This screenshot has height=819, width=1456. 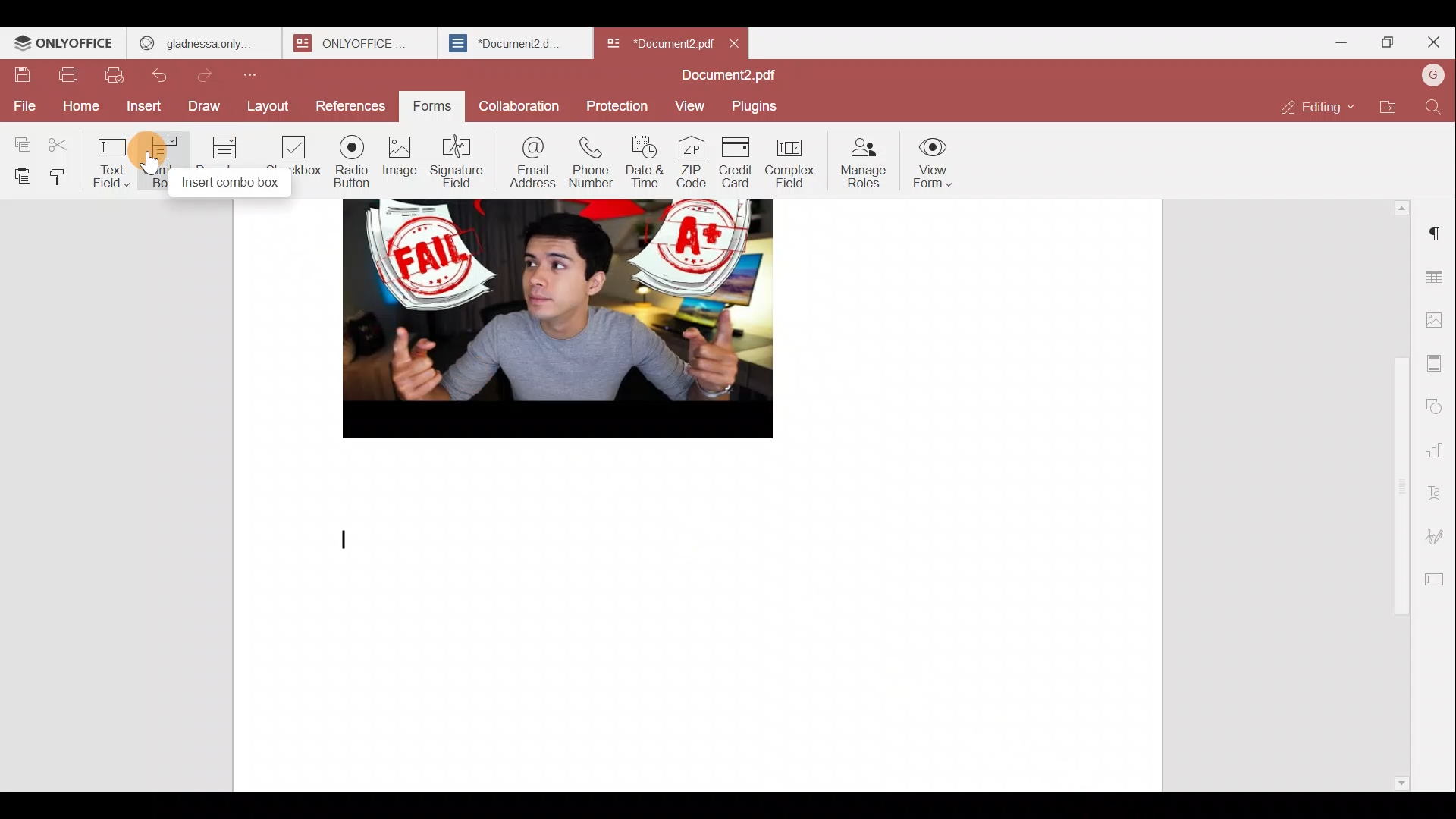 What do you see at coordinates (505, 41) in the screenshot?
I see `*Document2.d.` at bounding box center [505, 41].